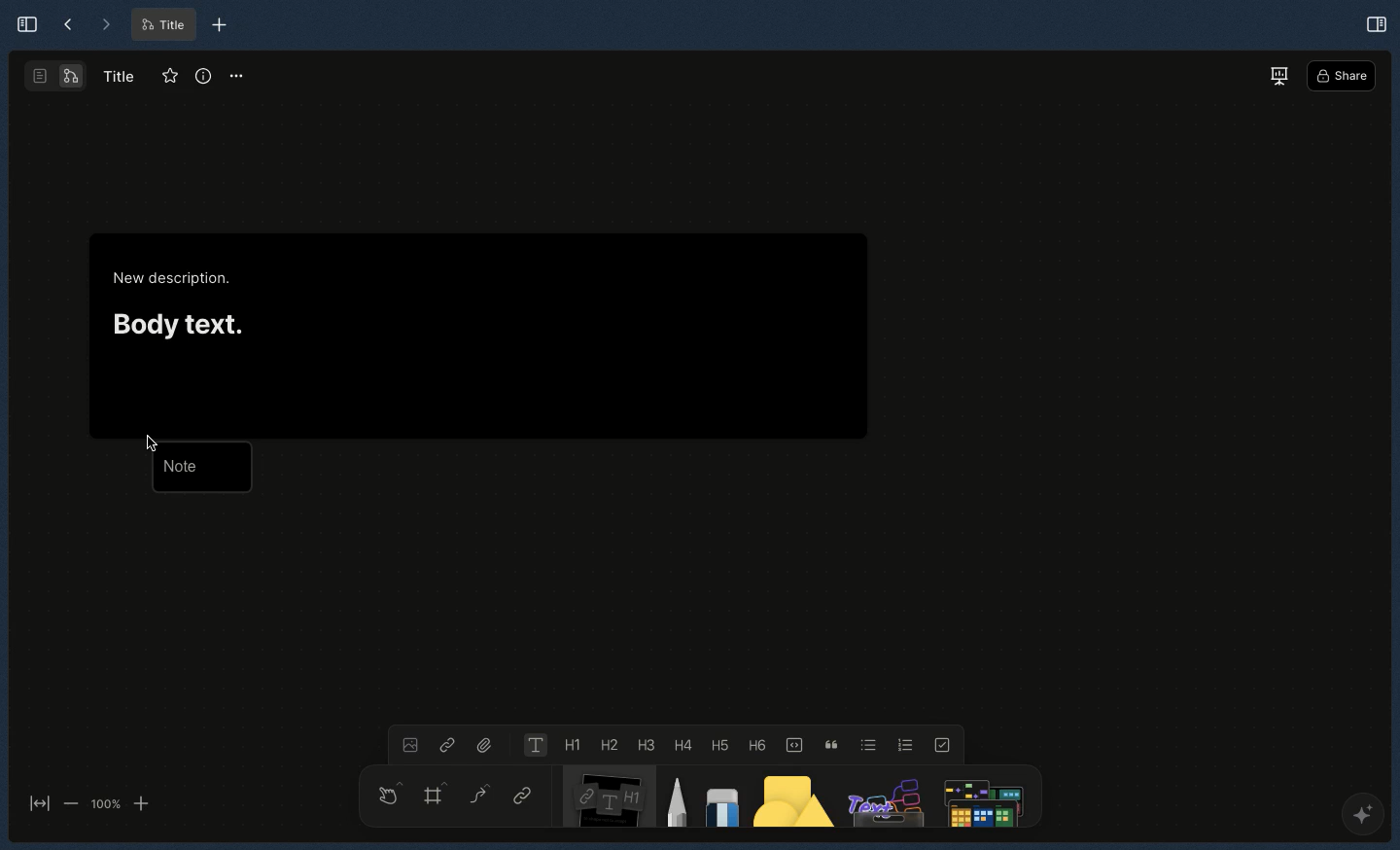 The height and width of the screenshot is (850, 1400). I want to click on Curve, so click(478, 793).